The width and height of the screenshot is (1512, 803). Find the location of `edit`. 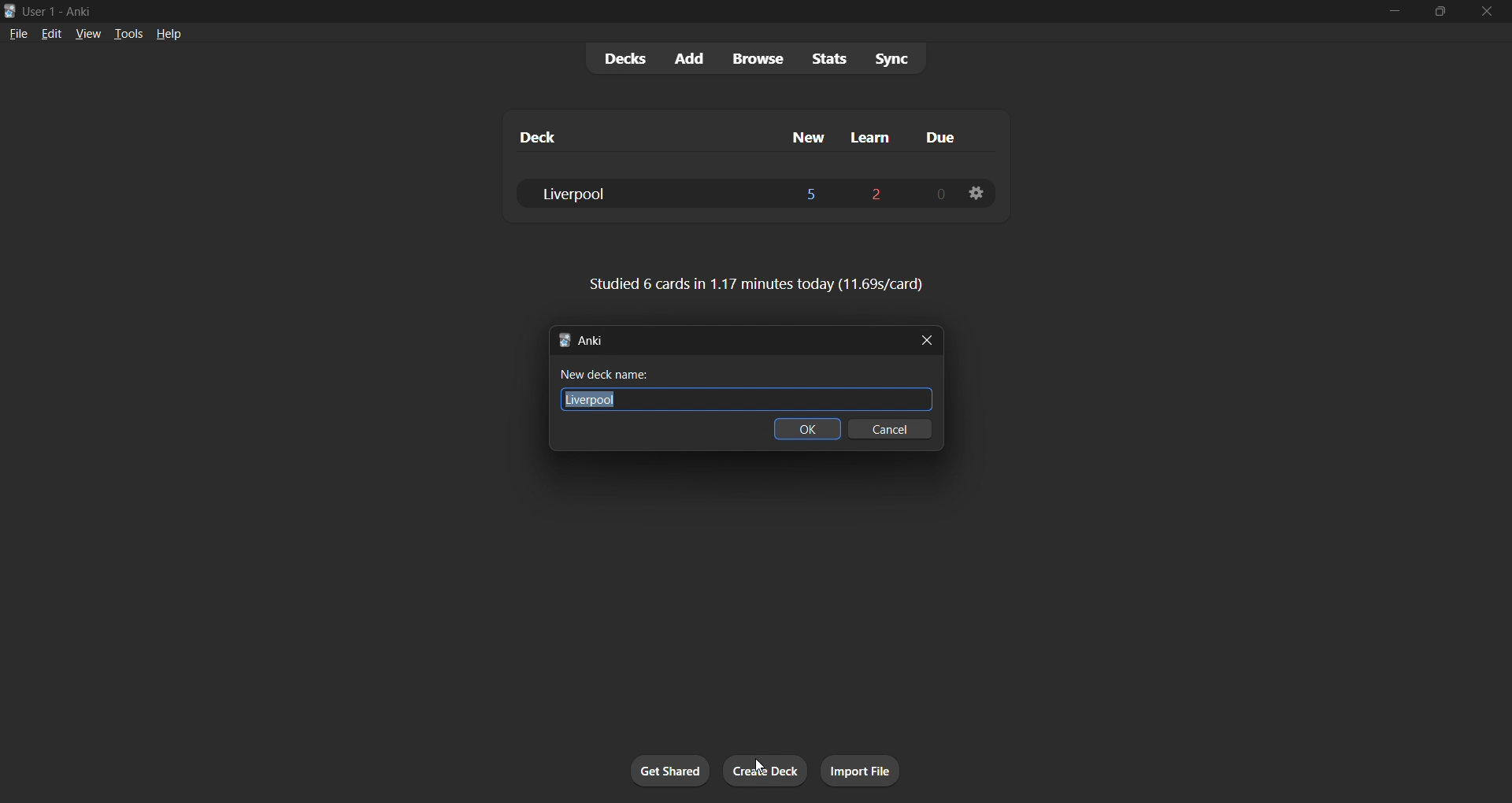

edit is located at coordinates (46, 33).